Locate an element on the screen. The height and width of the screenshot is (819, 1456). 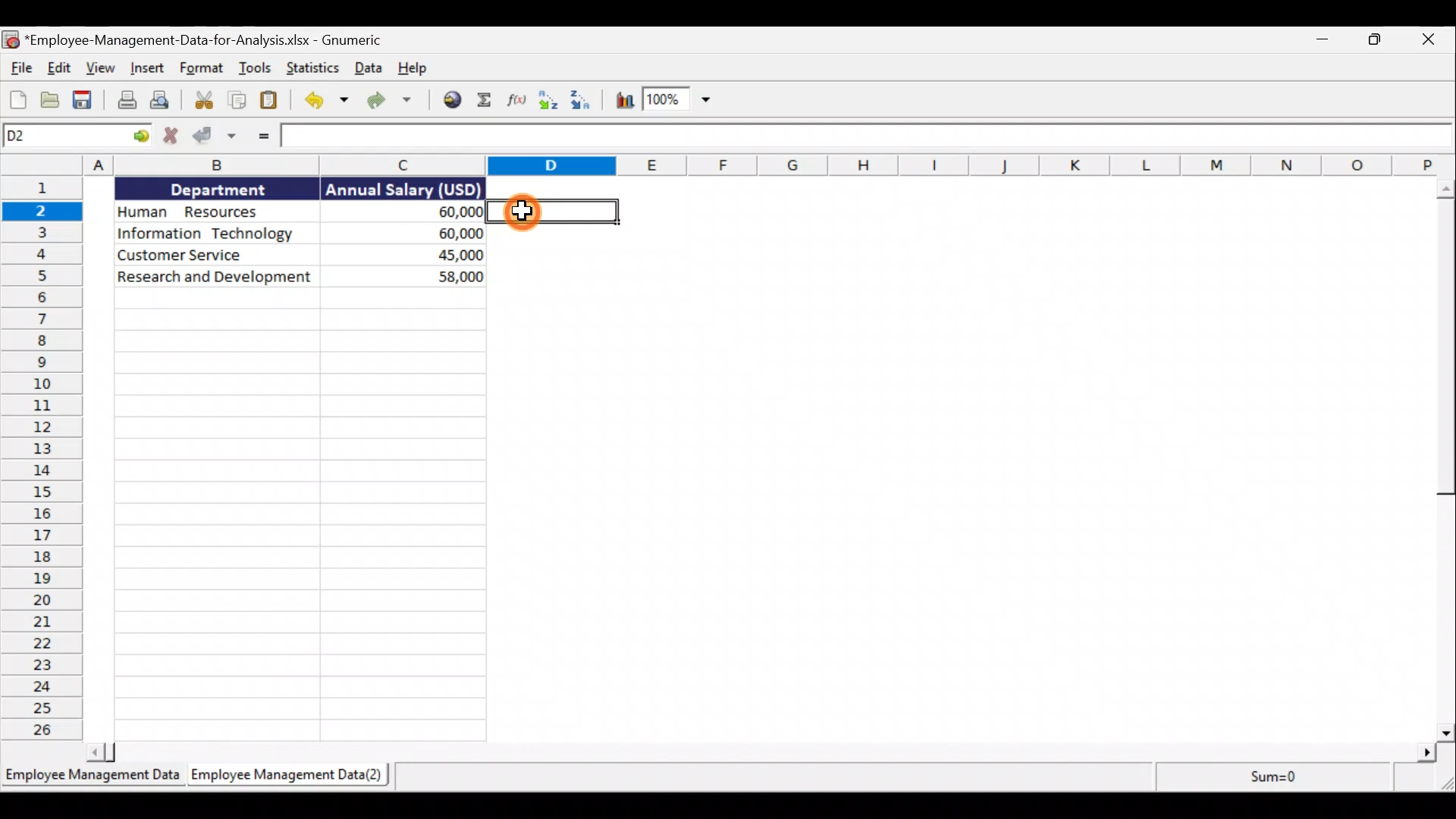
Format is located at coordinates (201, 68).